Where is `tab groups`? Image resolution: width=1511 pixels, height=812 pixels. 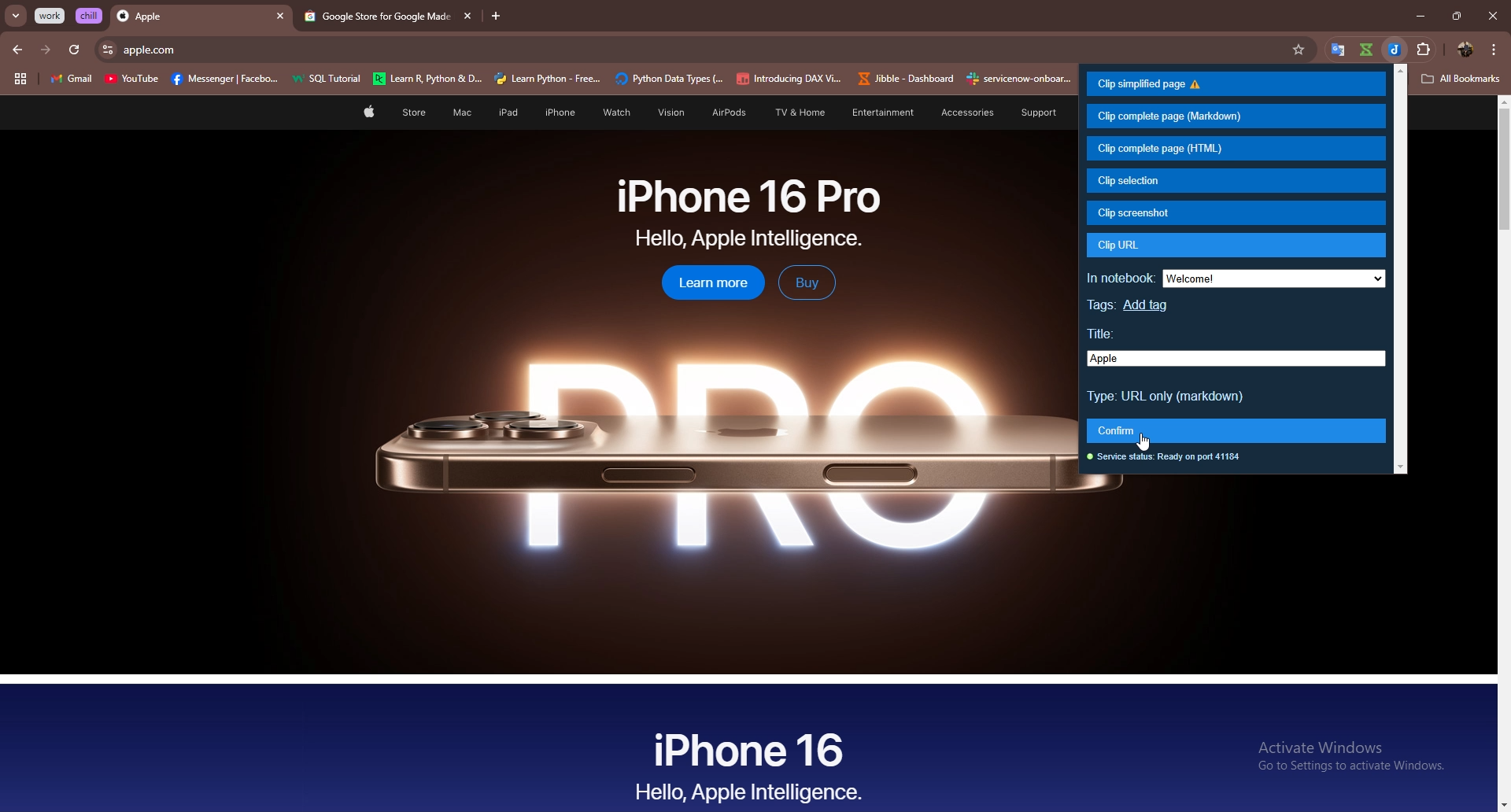
tab groups is located at coordinates (20, 79).